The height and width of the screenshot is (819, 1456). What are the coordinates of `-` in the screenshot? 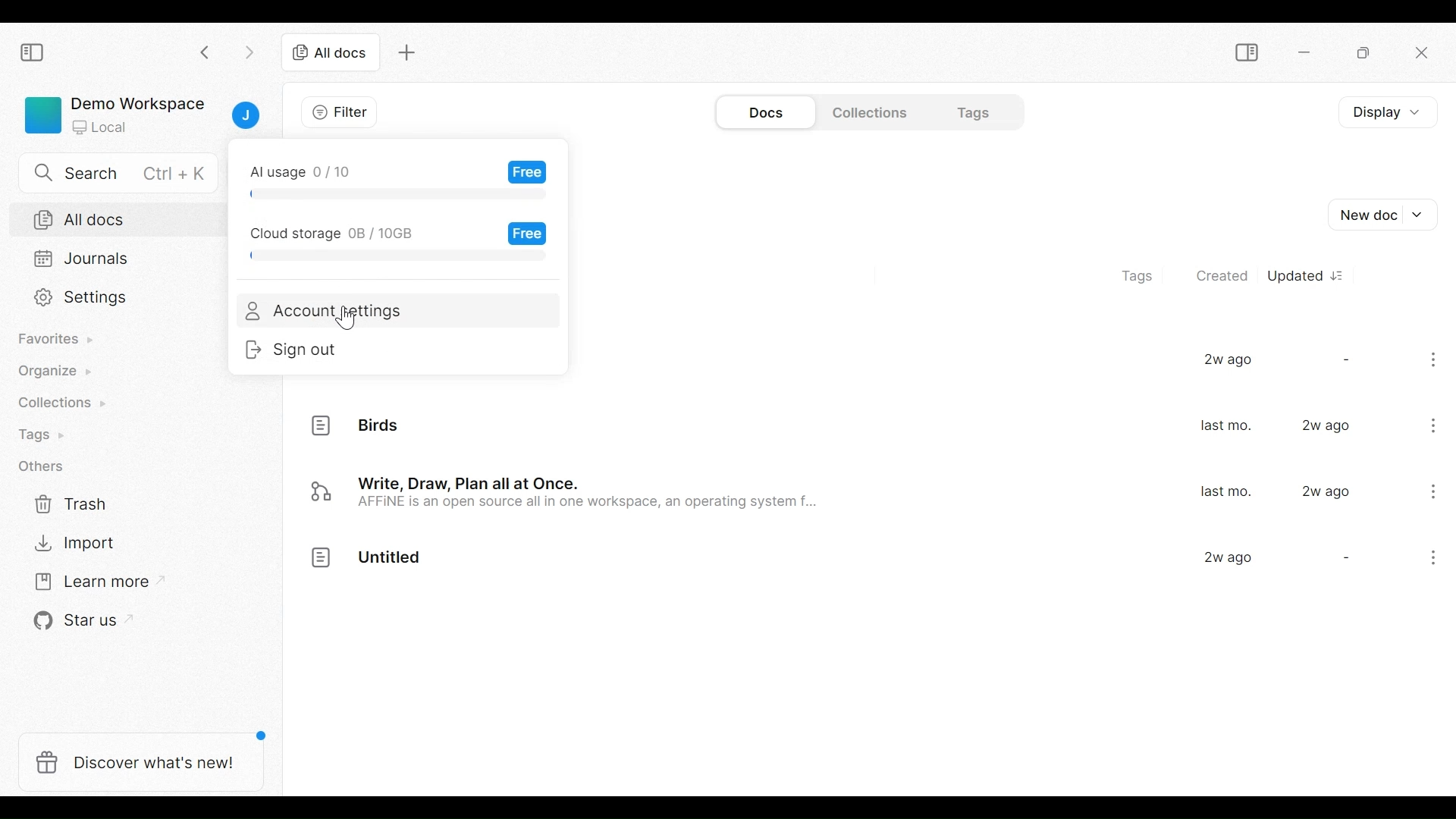 It's located at (1345, 359).